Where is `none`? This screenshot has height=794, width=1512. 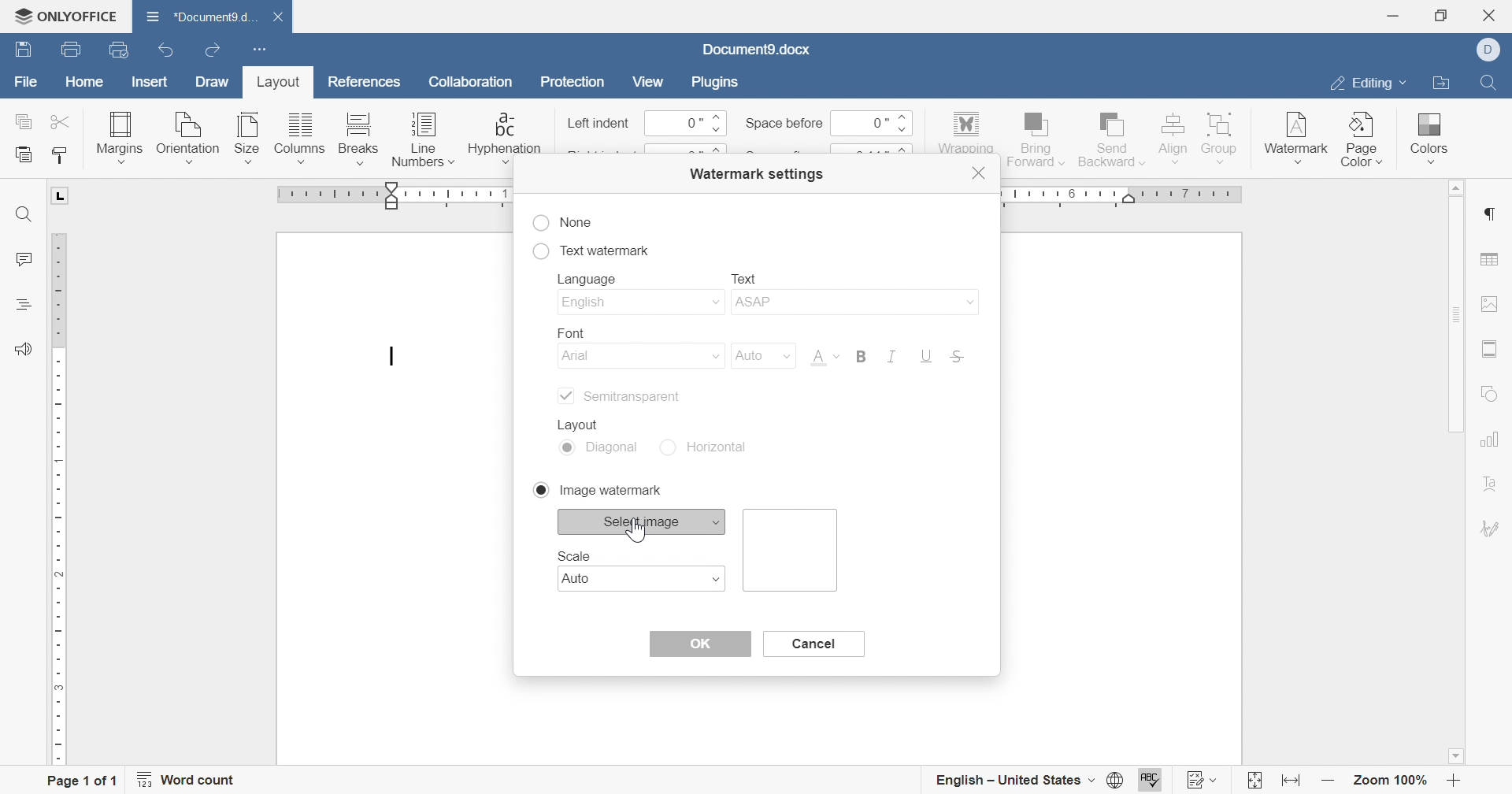
none is located at coordinates (563, 223).